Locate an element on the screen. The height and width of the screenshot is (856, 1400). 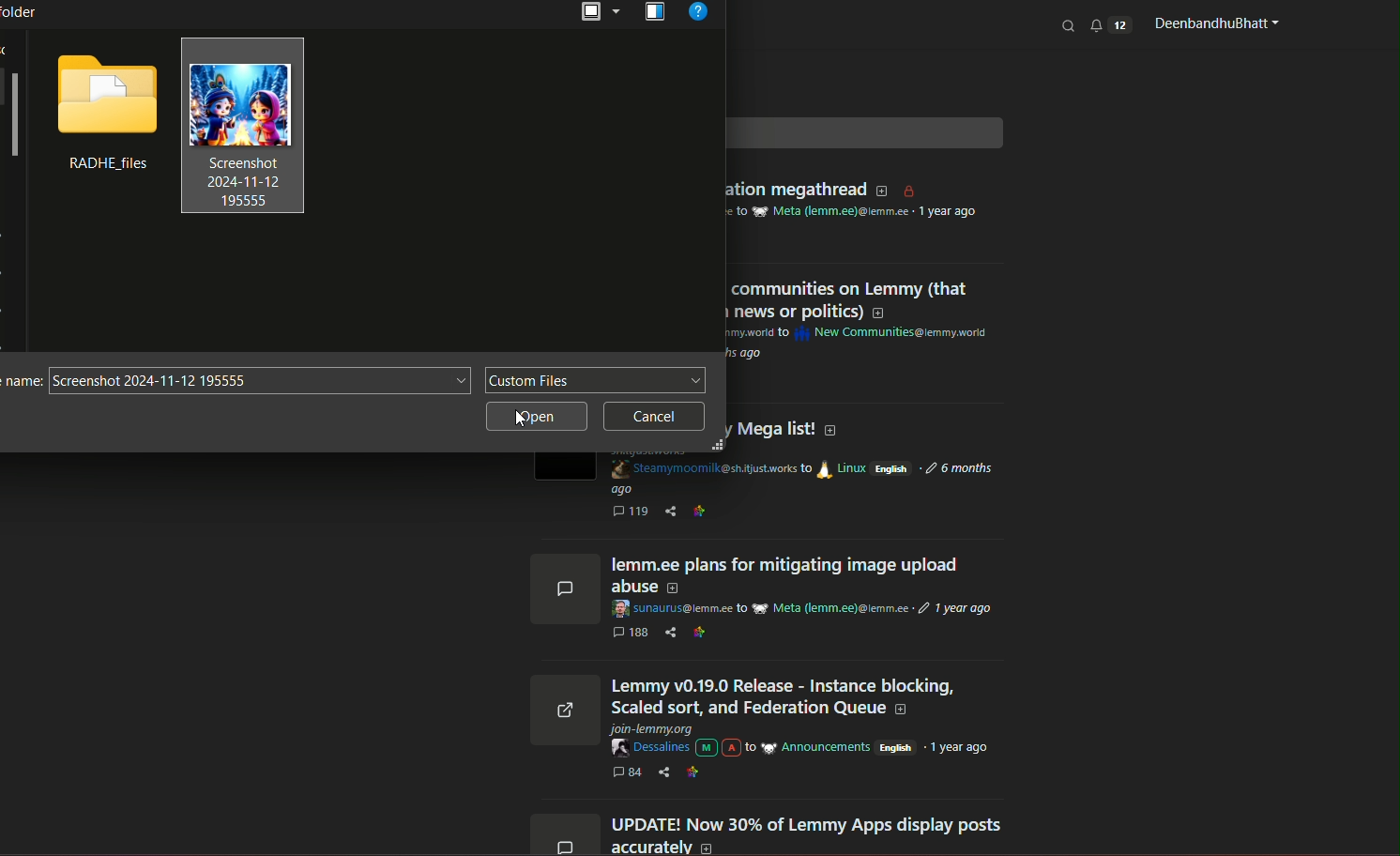
Custom Files is located at coordinates (596, 381).